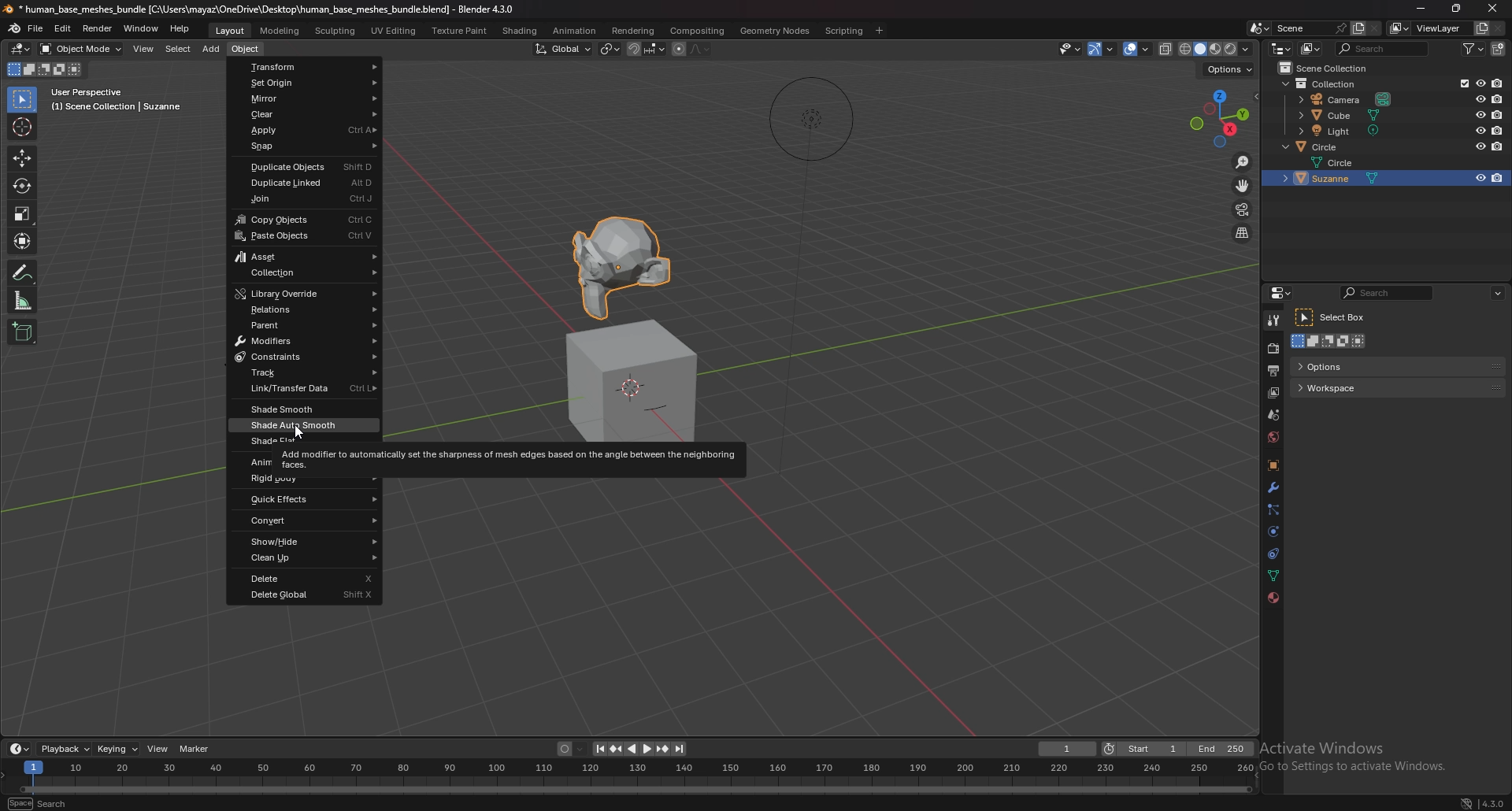 The height and width of the screenshot is (811, 1512). I want to click on select box, so click(1336, 318).